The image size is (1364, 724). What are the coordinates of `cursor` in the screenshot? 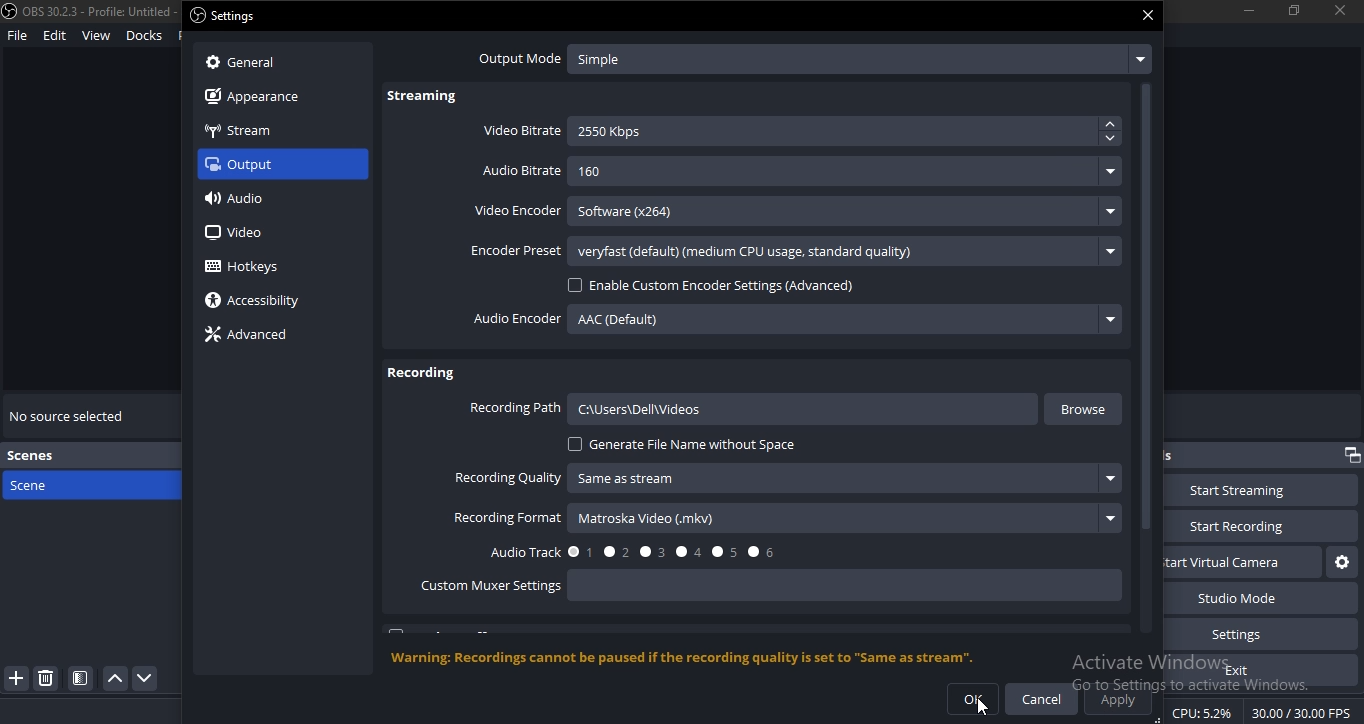 It's located at (983, 712).